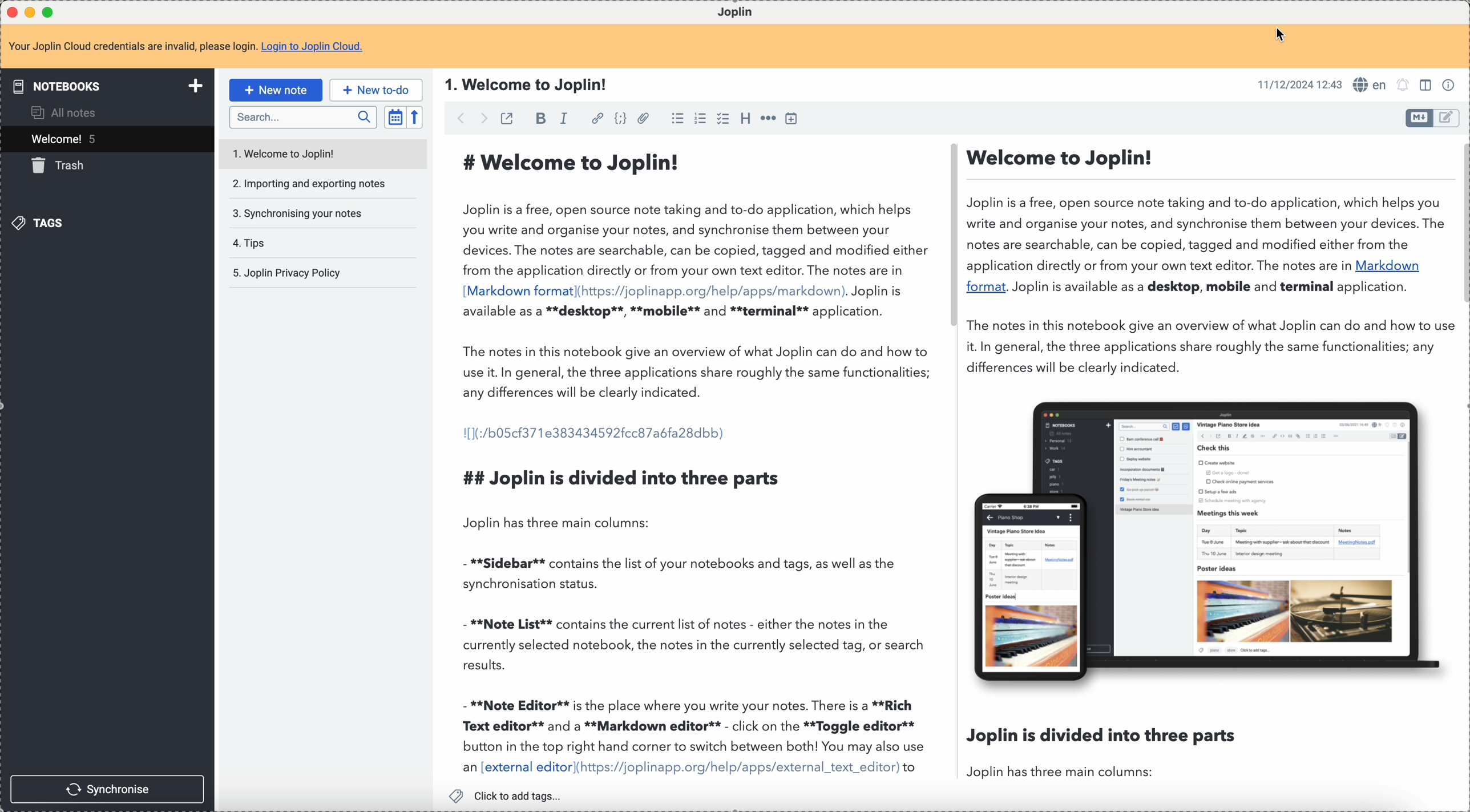  I want to click on reverse sort order, so click(418, 116).